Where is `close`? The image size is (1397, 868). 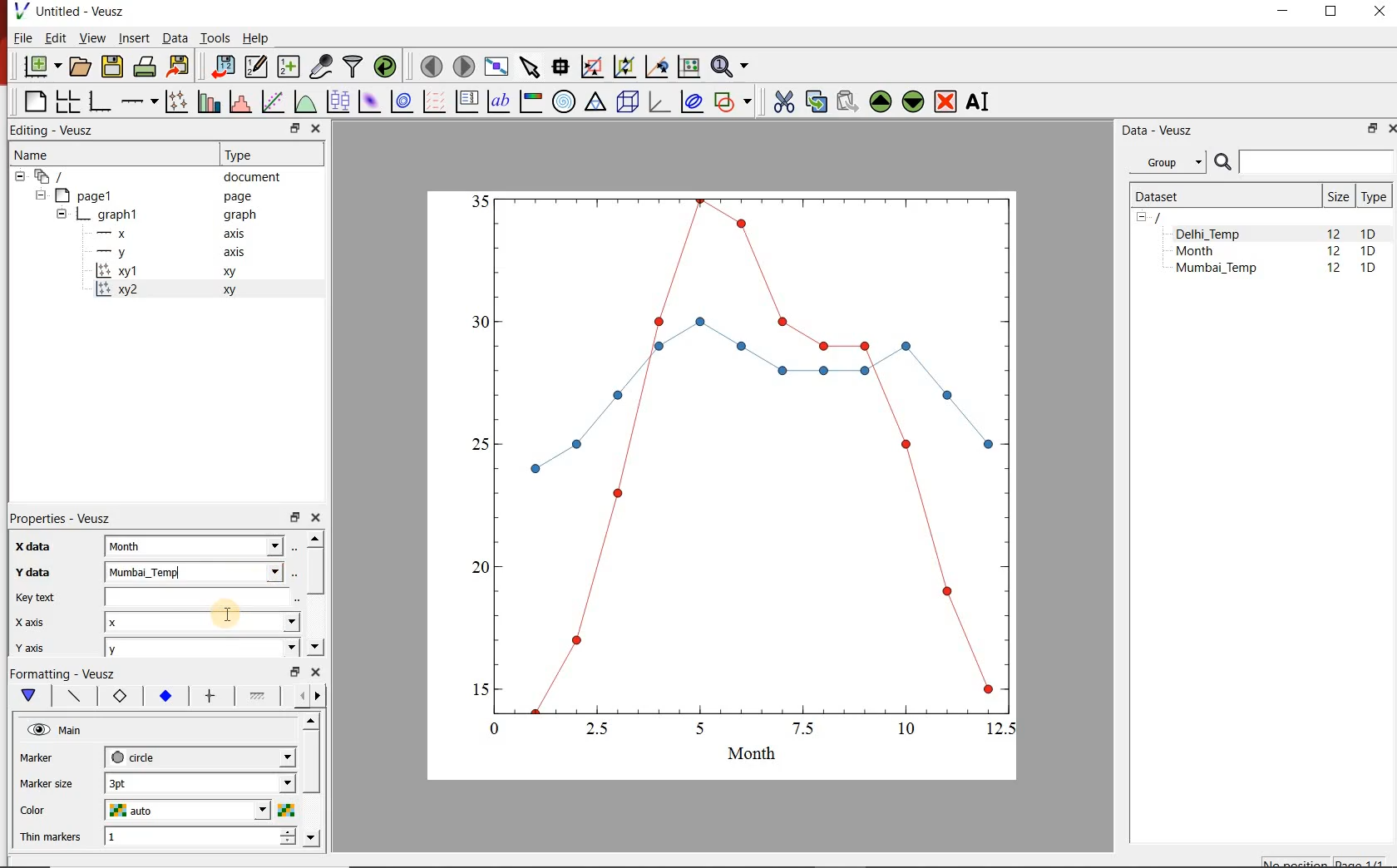
close is located at coordinates (314, 518).